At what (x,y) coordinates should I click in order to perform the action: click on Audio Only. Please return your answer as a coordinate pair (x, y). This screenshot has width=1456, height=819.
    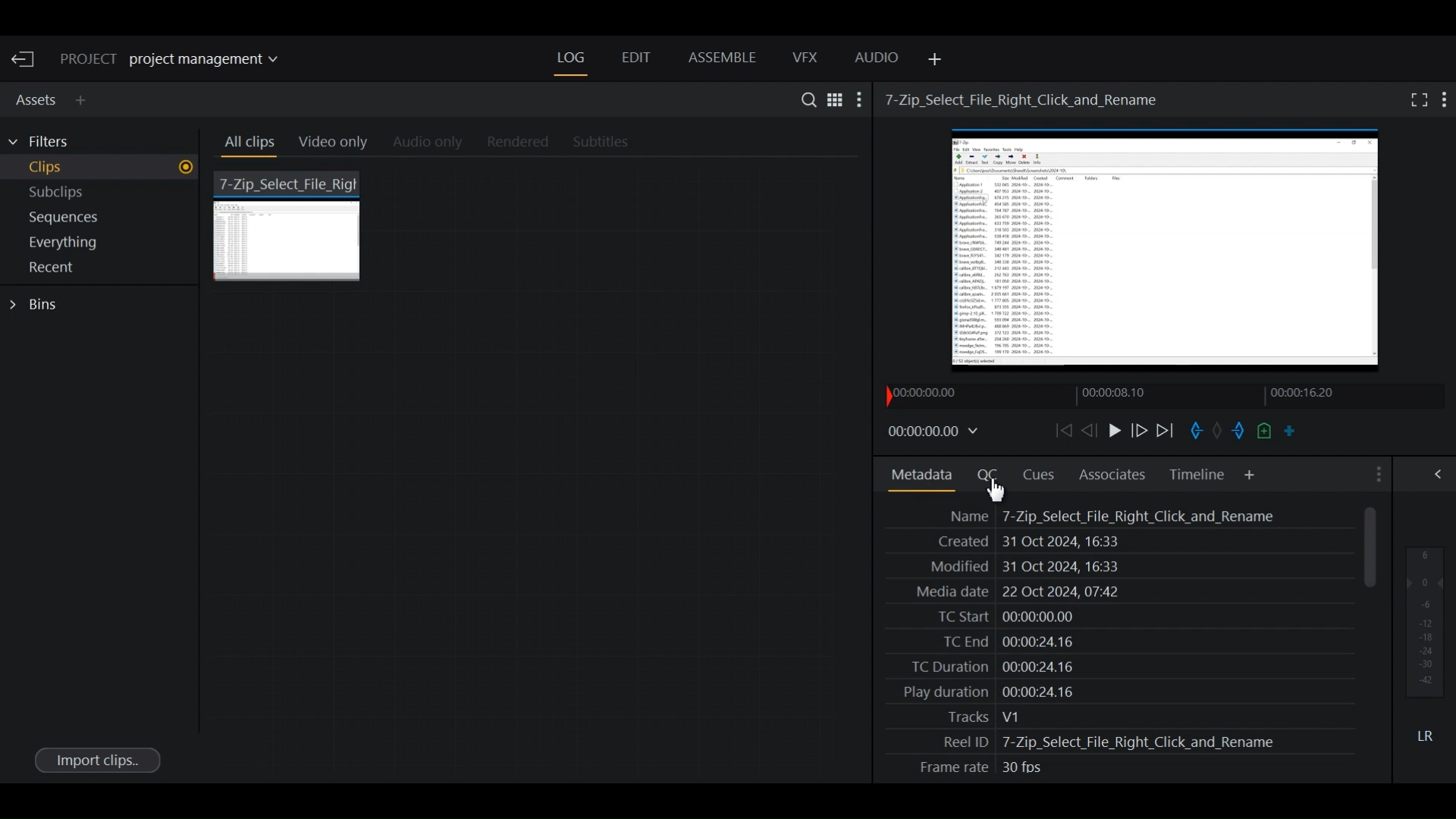
    Looking at the image, I should click on (432, 143).